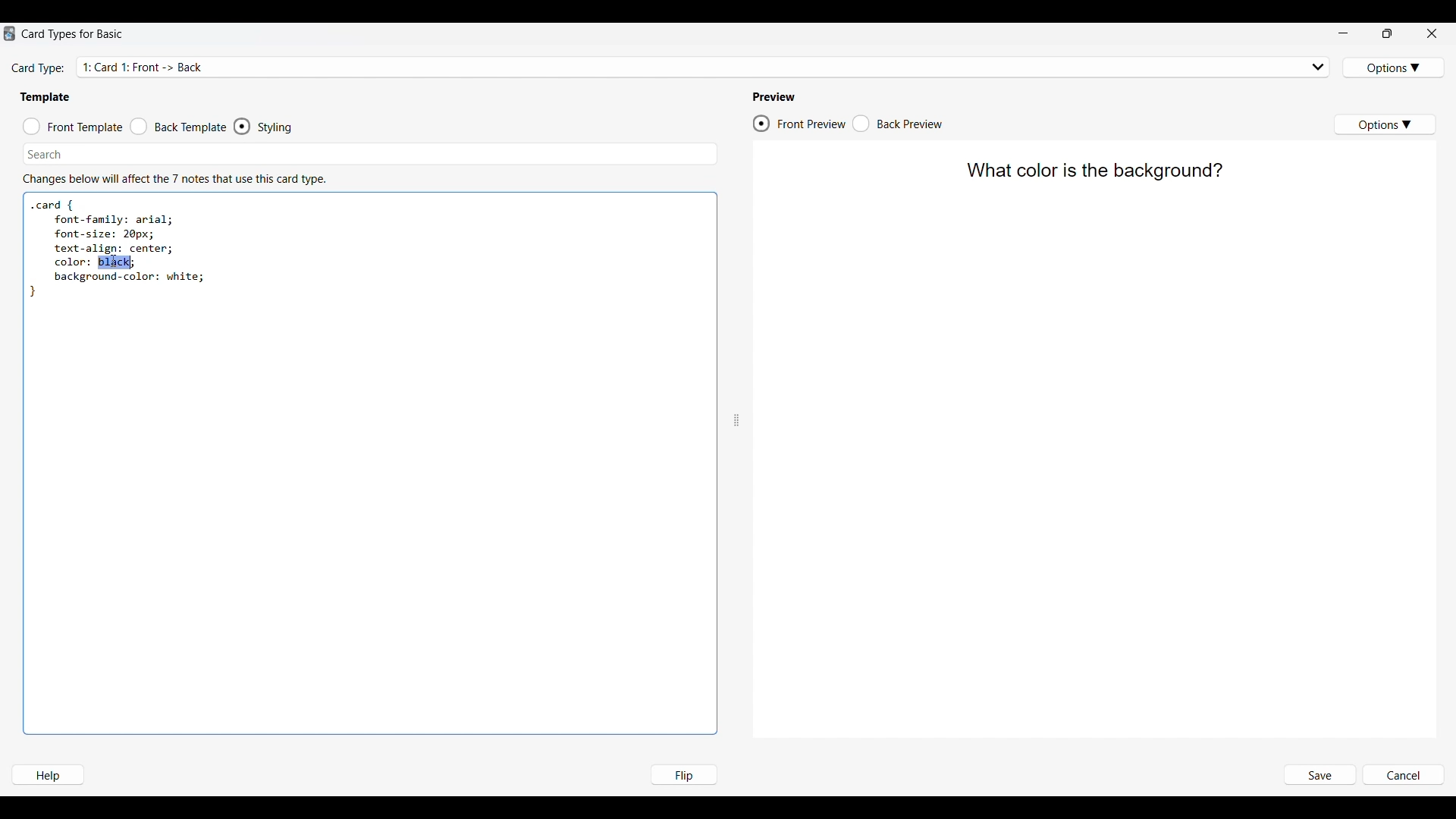 The width and height of the screenshot is (1456, 819). Describe the element at coordinates (114, 262) in the screenshot. I see `Cursor` at that location.